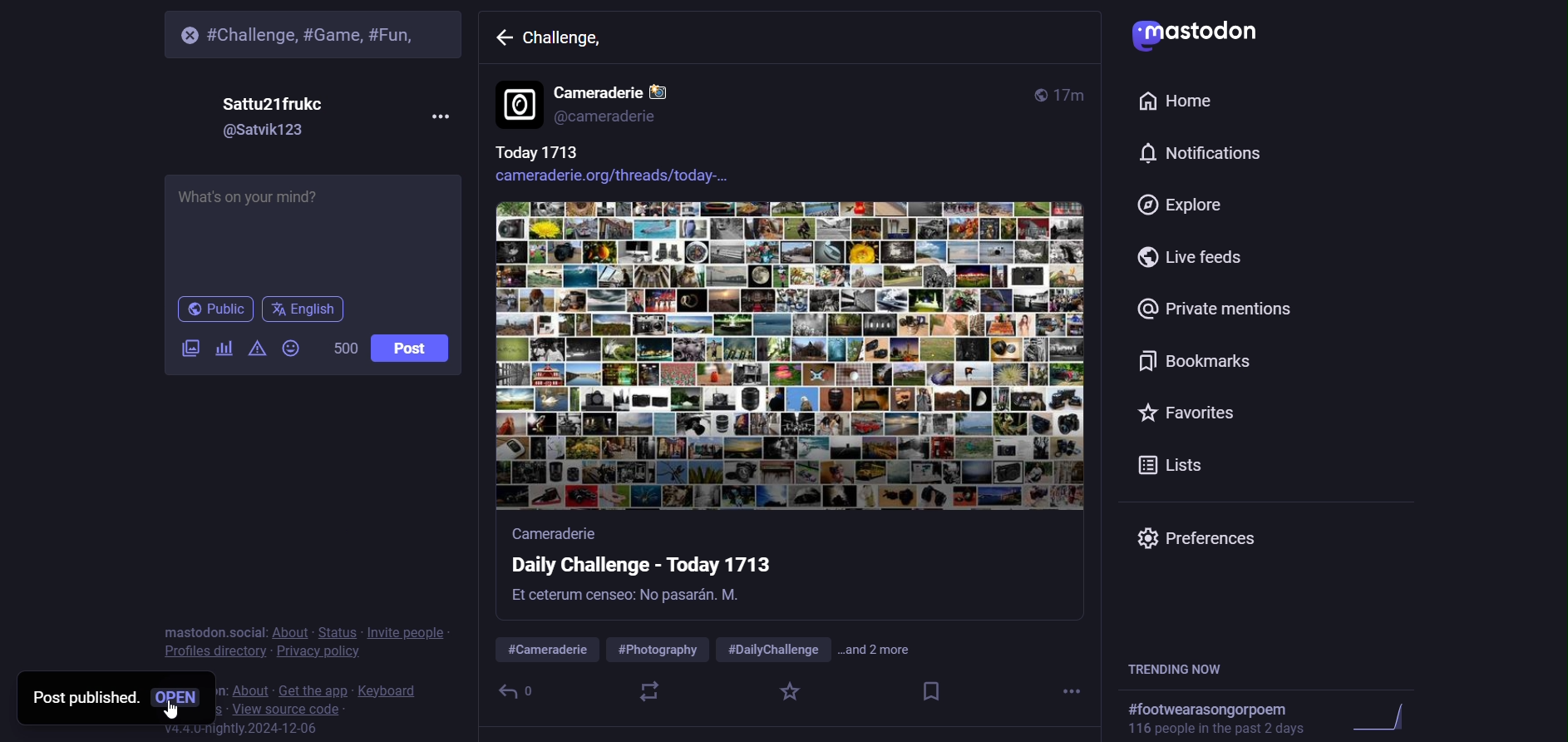  What do you see at coordinates (1215, 309) in the screenshot?
I see `private mention` at bounding box center [1215, 309].